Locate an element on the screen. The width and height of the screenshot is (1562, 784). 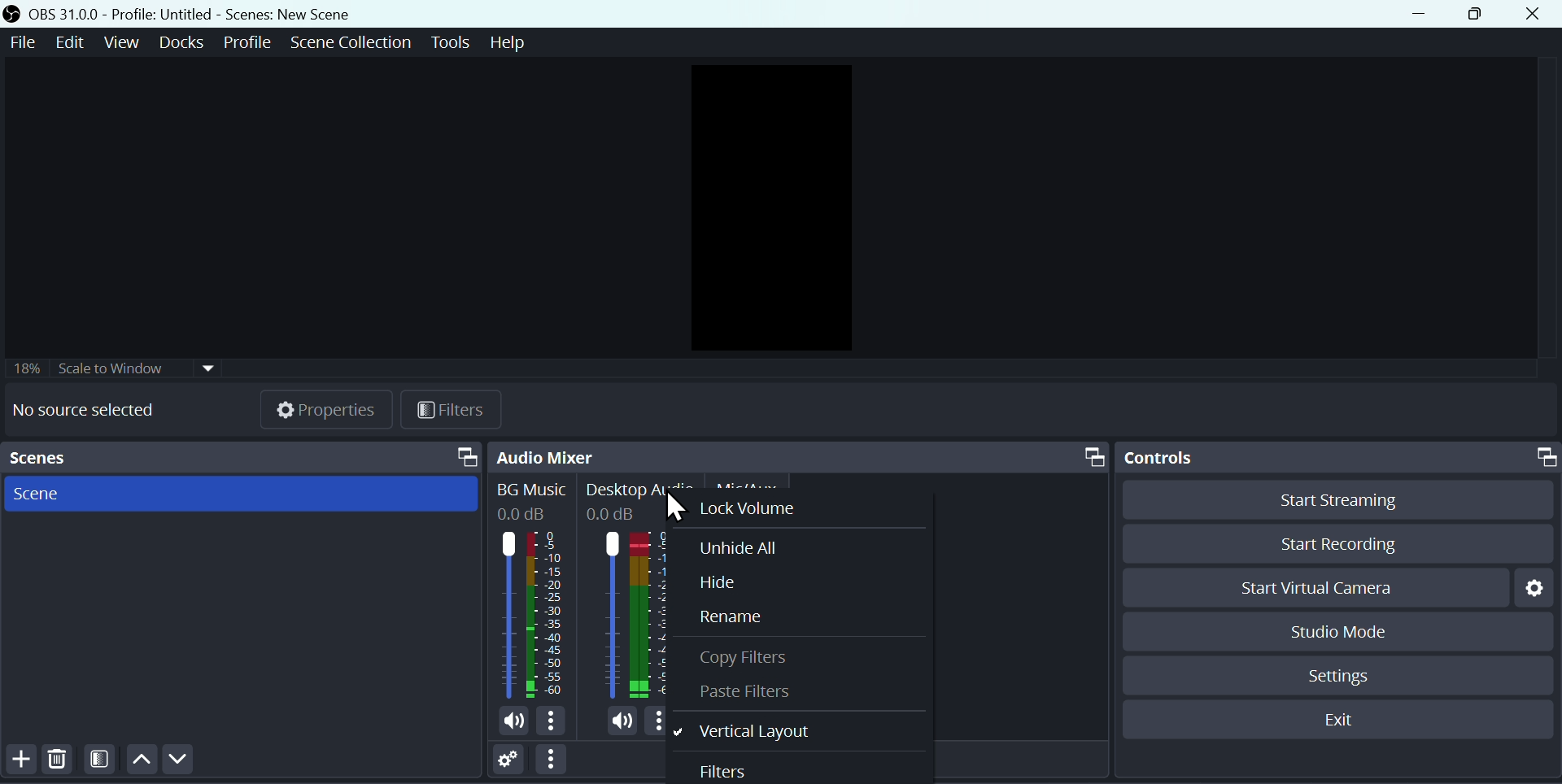
Studio mode is located at coordinates (1342, 630).